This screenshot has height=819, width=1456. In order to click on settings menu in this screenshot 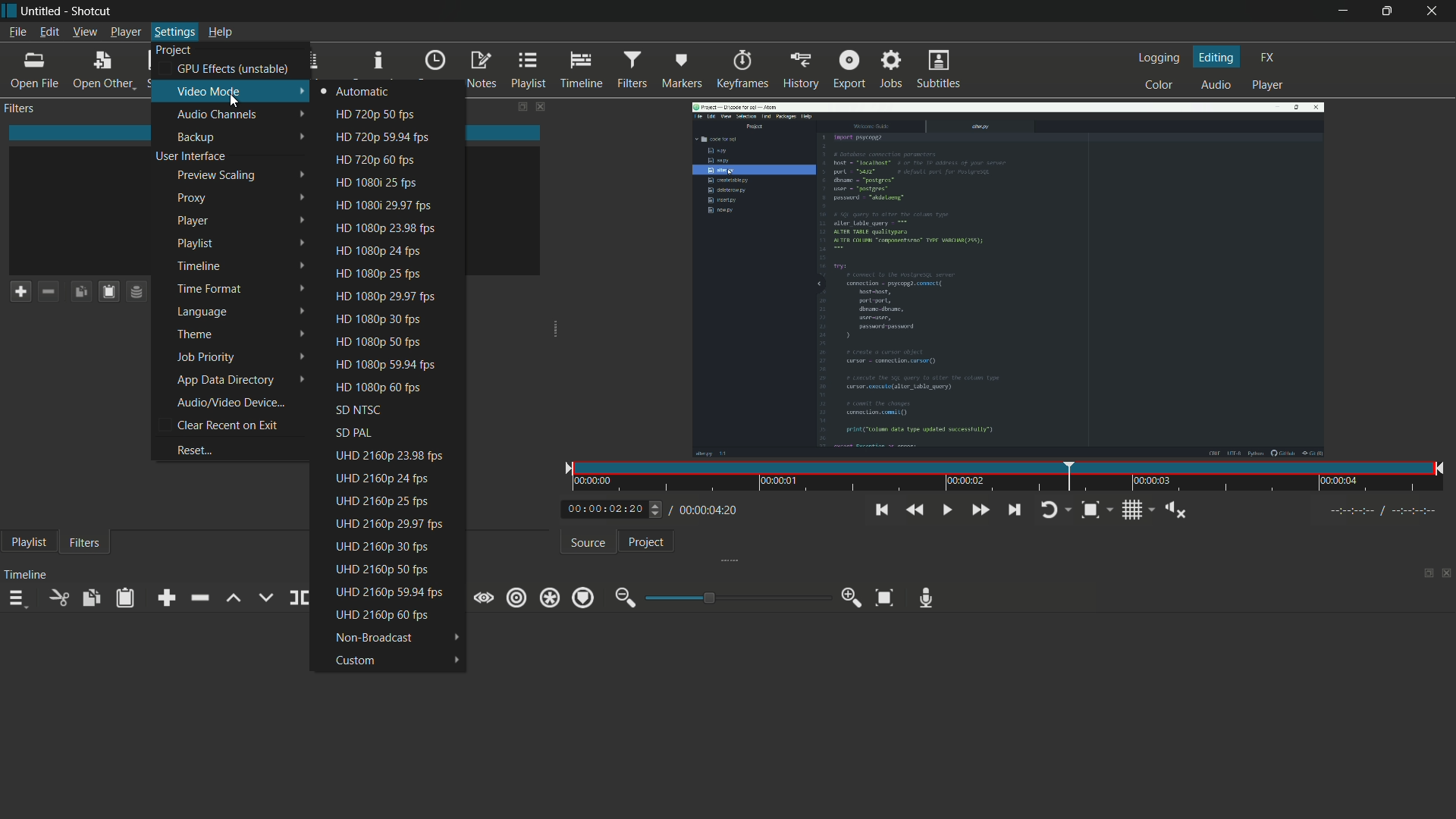, I will do `click(174, 33)`.